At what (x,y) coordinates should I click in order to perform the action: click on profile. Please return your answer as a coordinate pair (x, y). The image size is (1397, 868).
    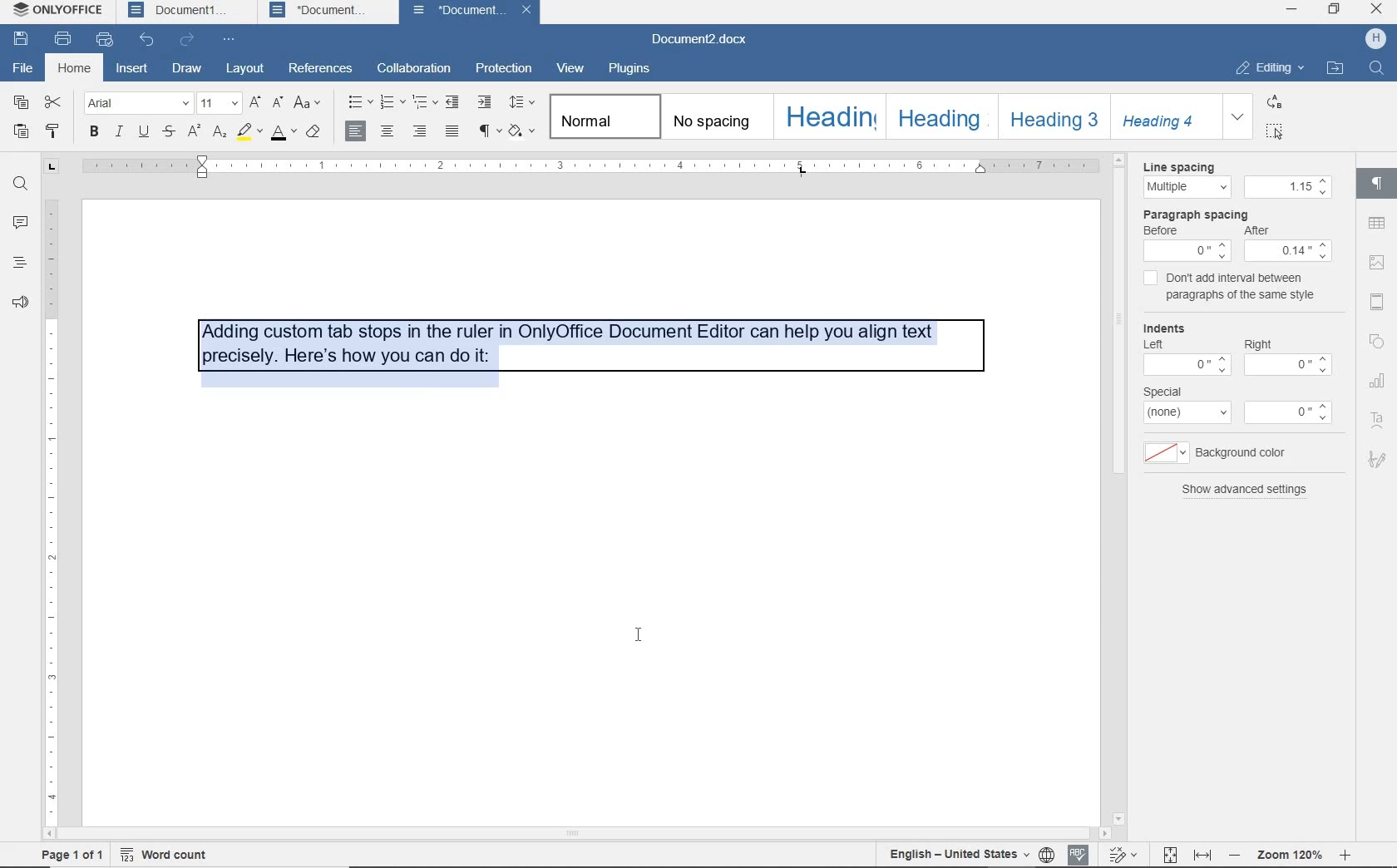
    Looking at the image, I should click on (1377, 37).